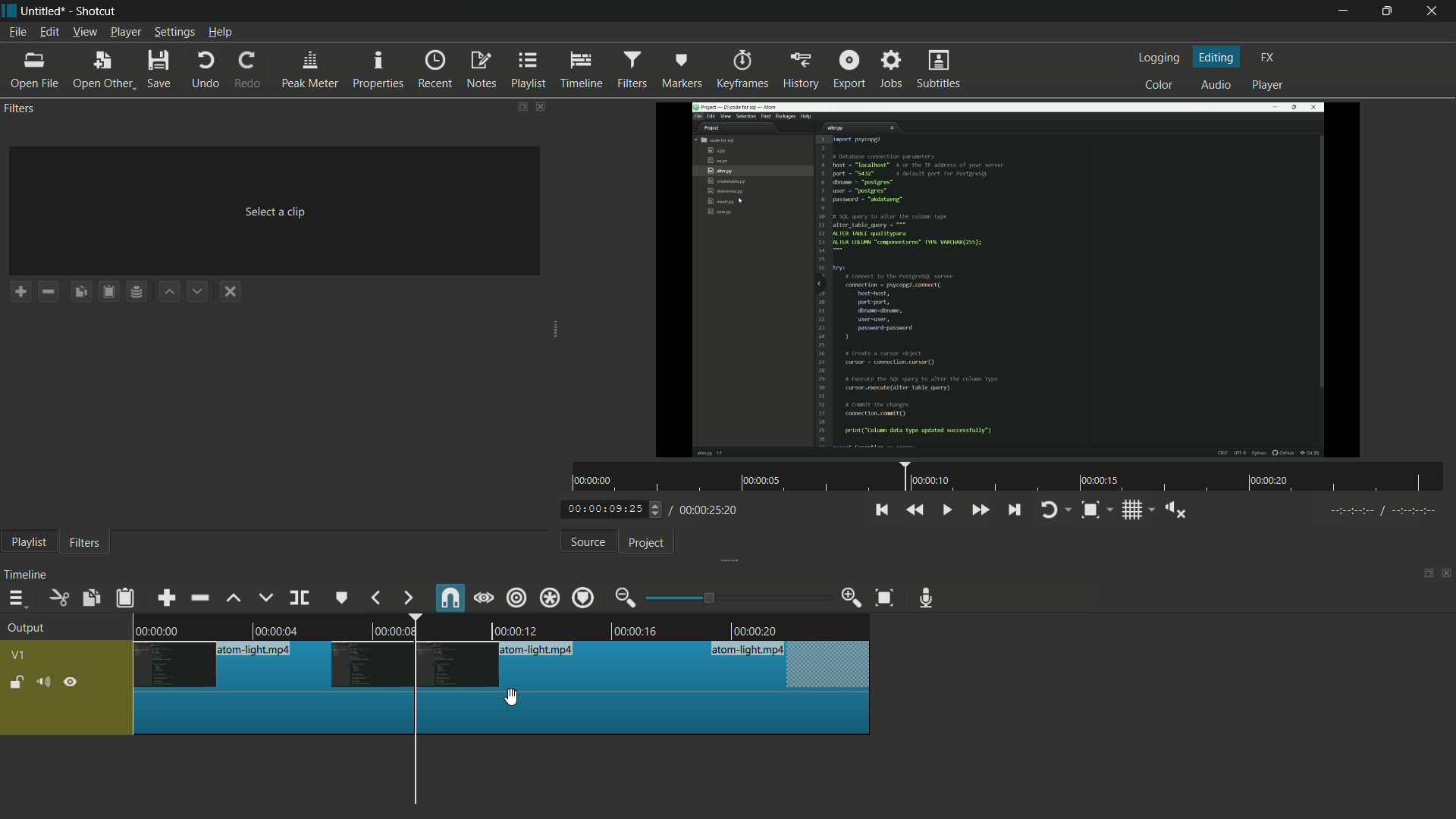  I want to click on toggle grid, so click(1137, 510).